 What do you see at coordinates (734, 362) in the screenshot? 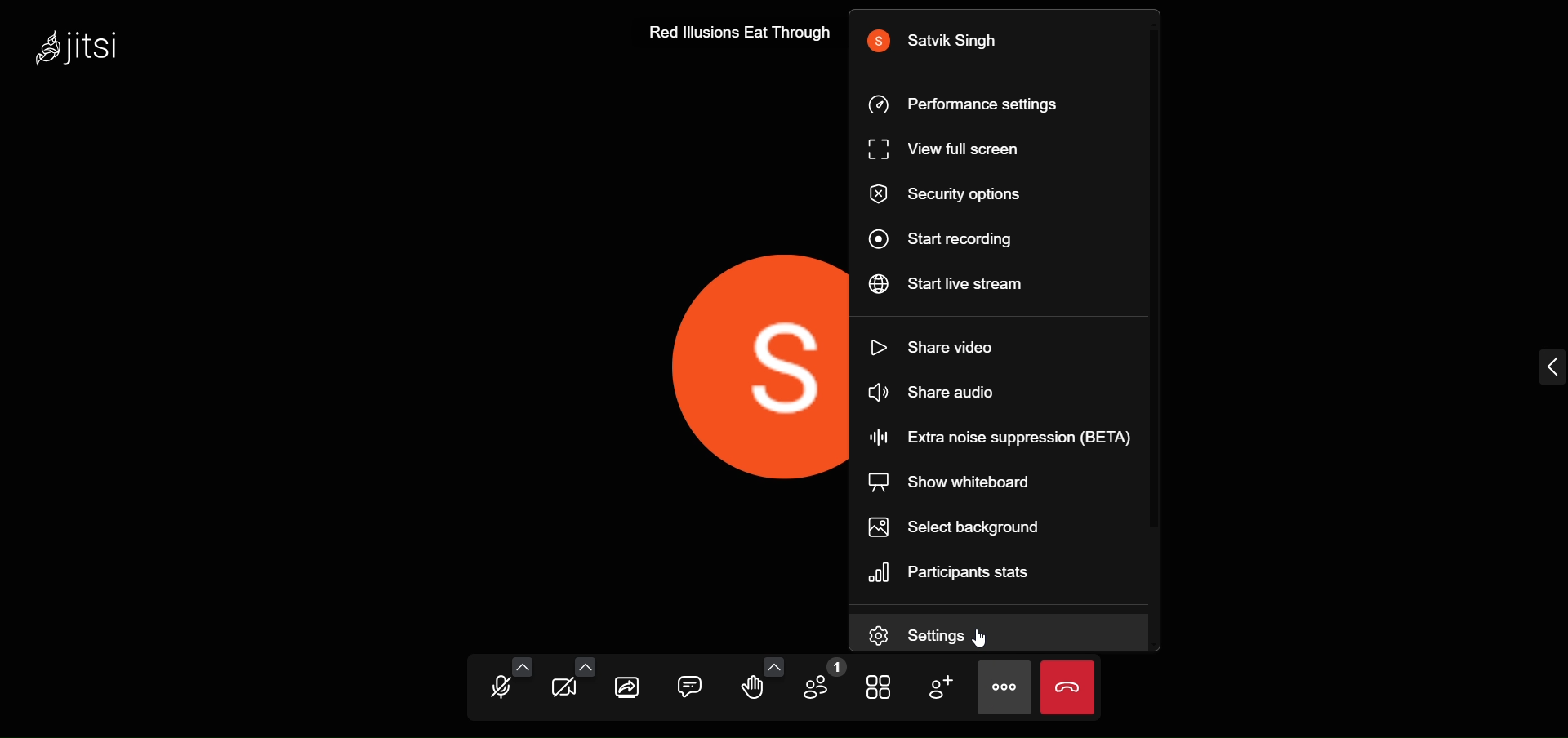
I see `display picture` at bounding box center [734, 362].